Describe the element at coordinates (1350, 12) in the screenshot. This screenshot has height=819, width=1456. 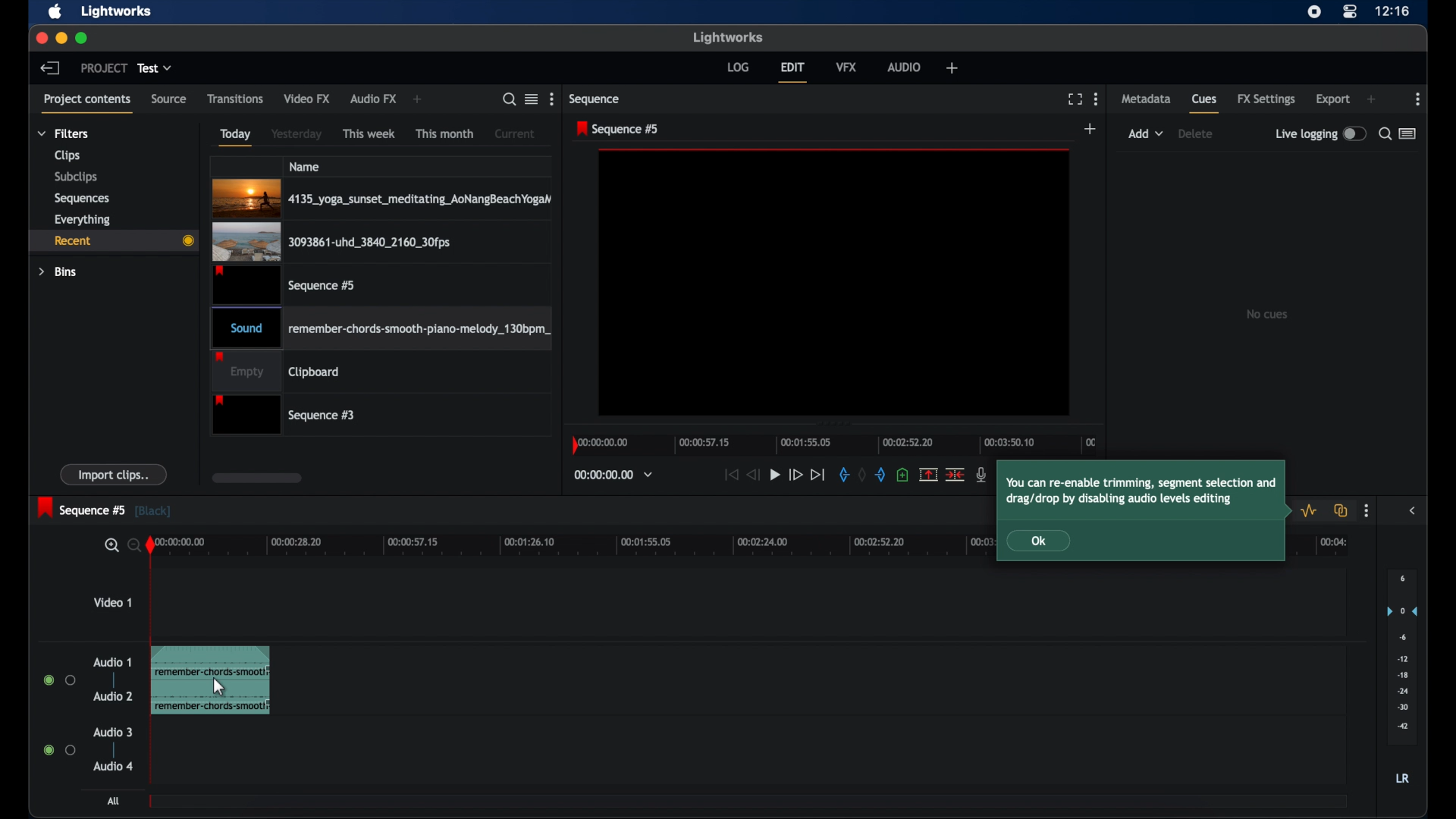
I see `control center` at that location.